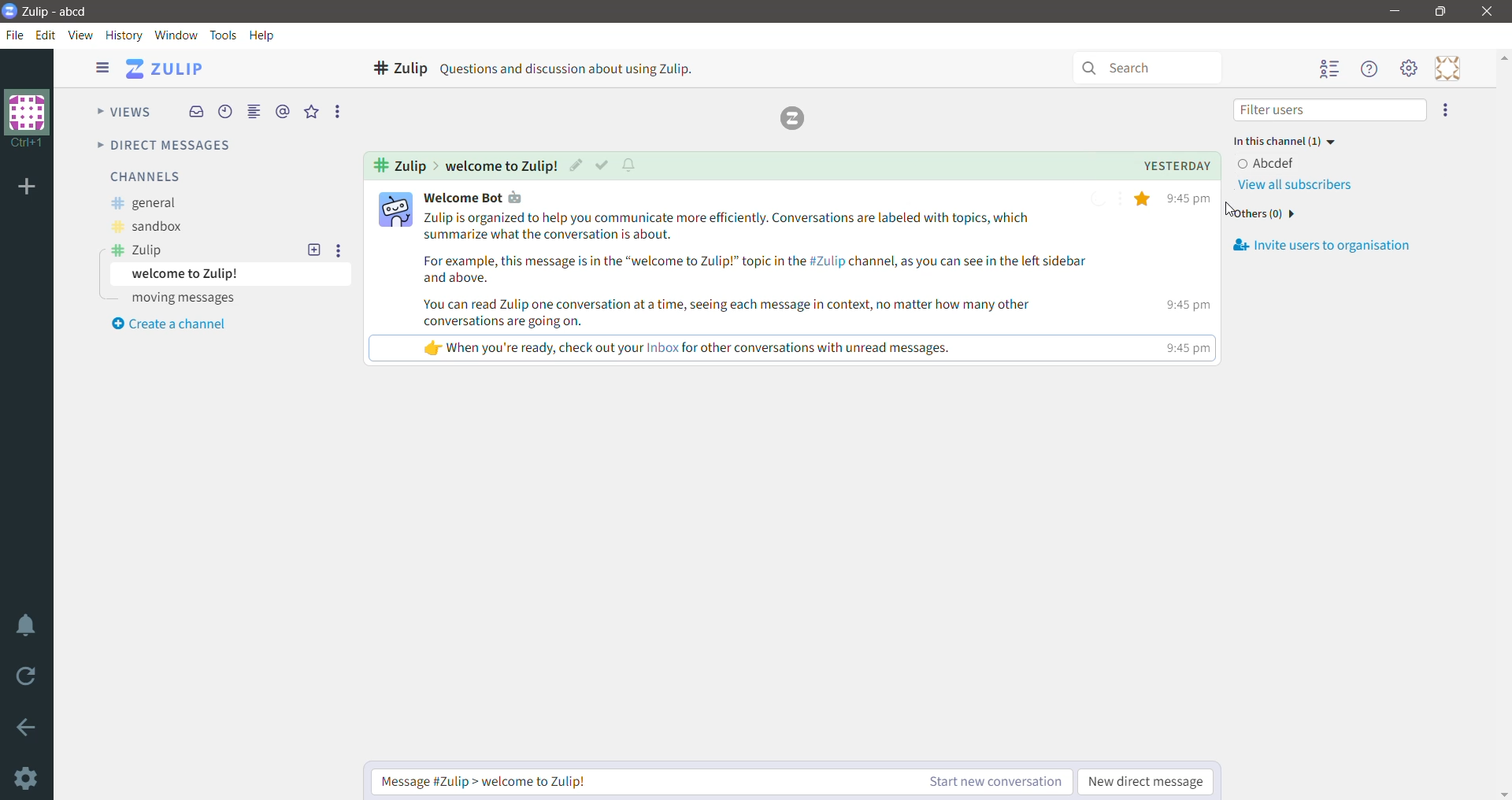 This screenshot has height=800, width=1512. Describe the element at coordinates (1145, 780) in the screenshot. I see `New direct message` at that location.